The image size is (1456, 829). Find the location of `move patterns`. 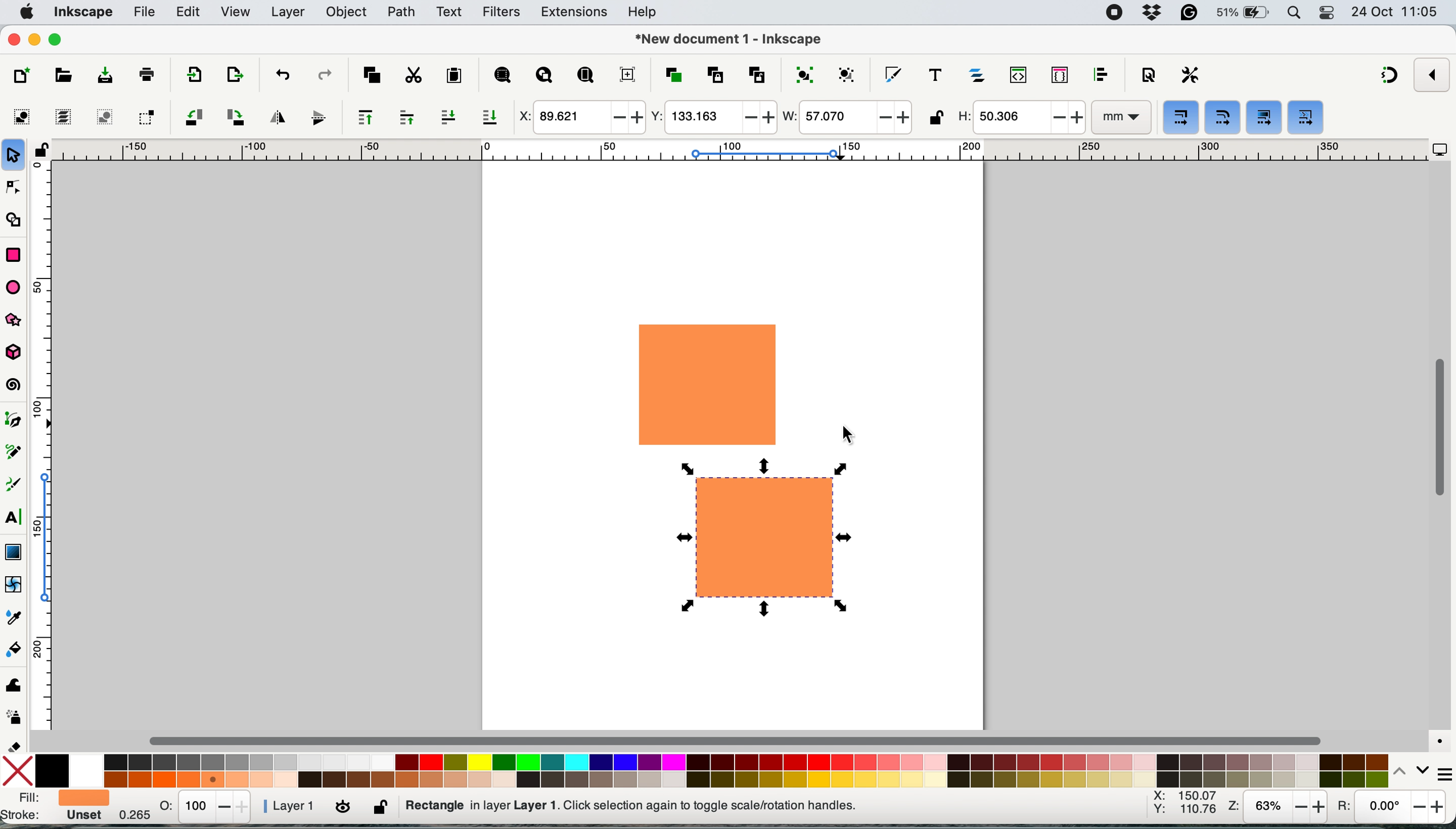

move patterns is located at coordinates (1305, 118).